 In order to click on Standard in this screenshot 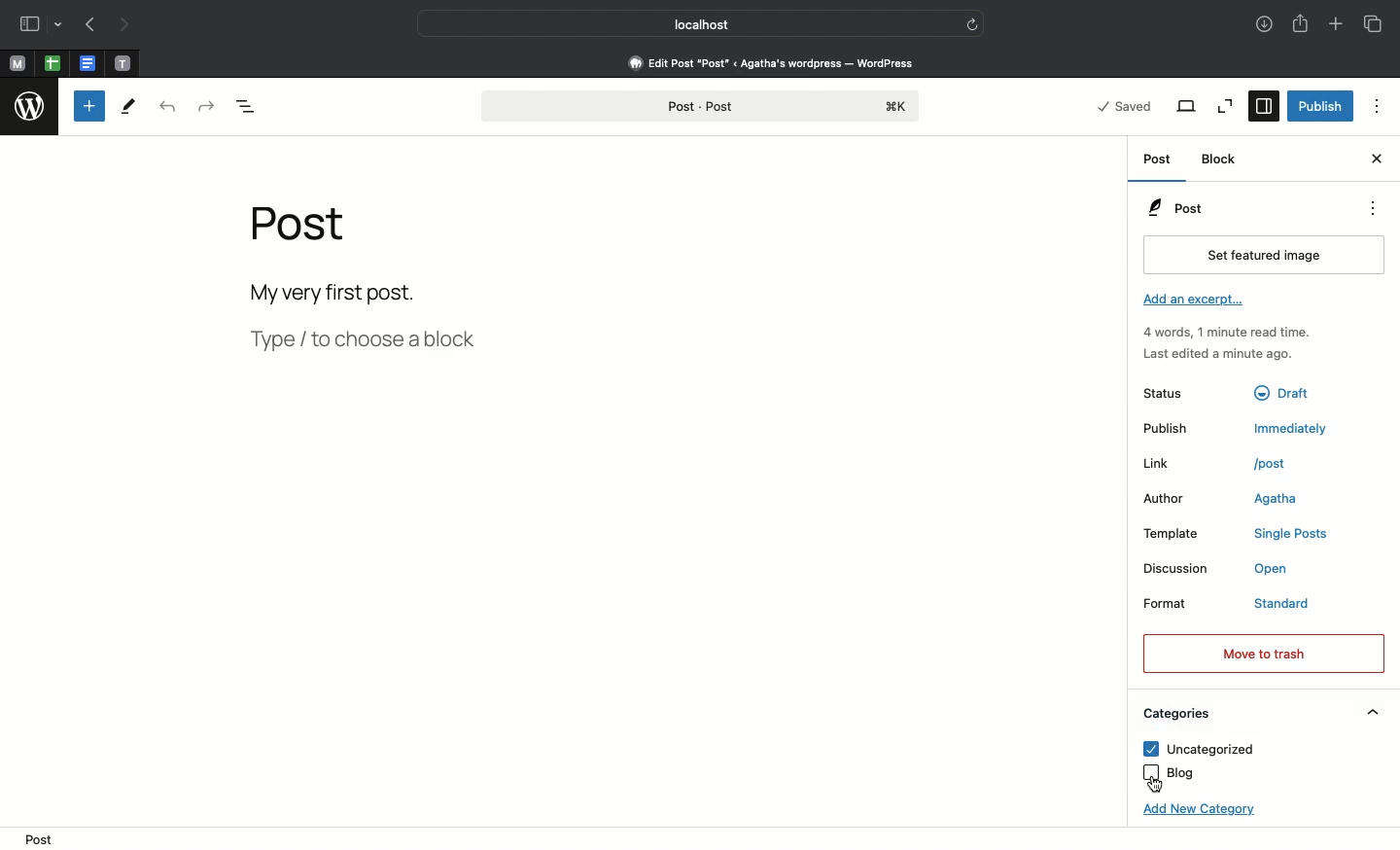, I will do `click(1301, 605)`.